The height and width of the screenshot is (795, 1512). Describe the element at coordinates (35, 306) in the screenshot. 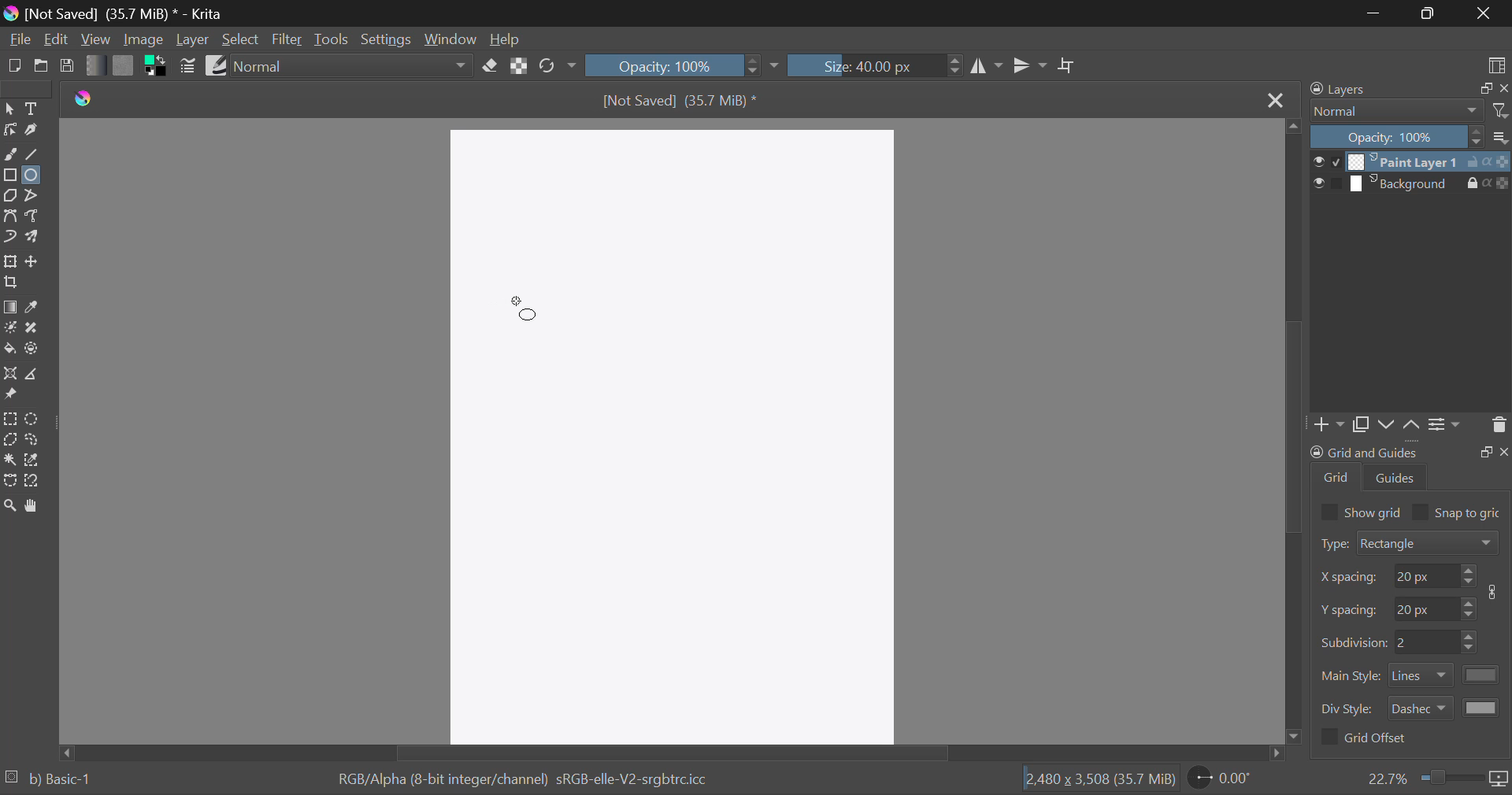

I see `Eyedropper` at that location.